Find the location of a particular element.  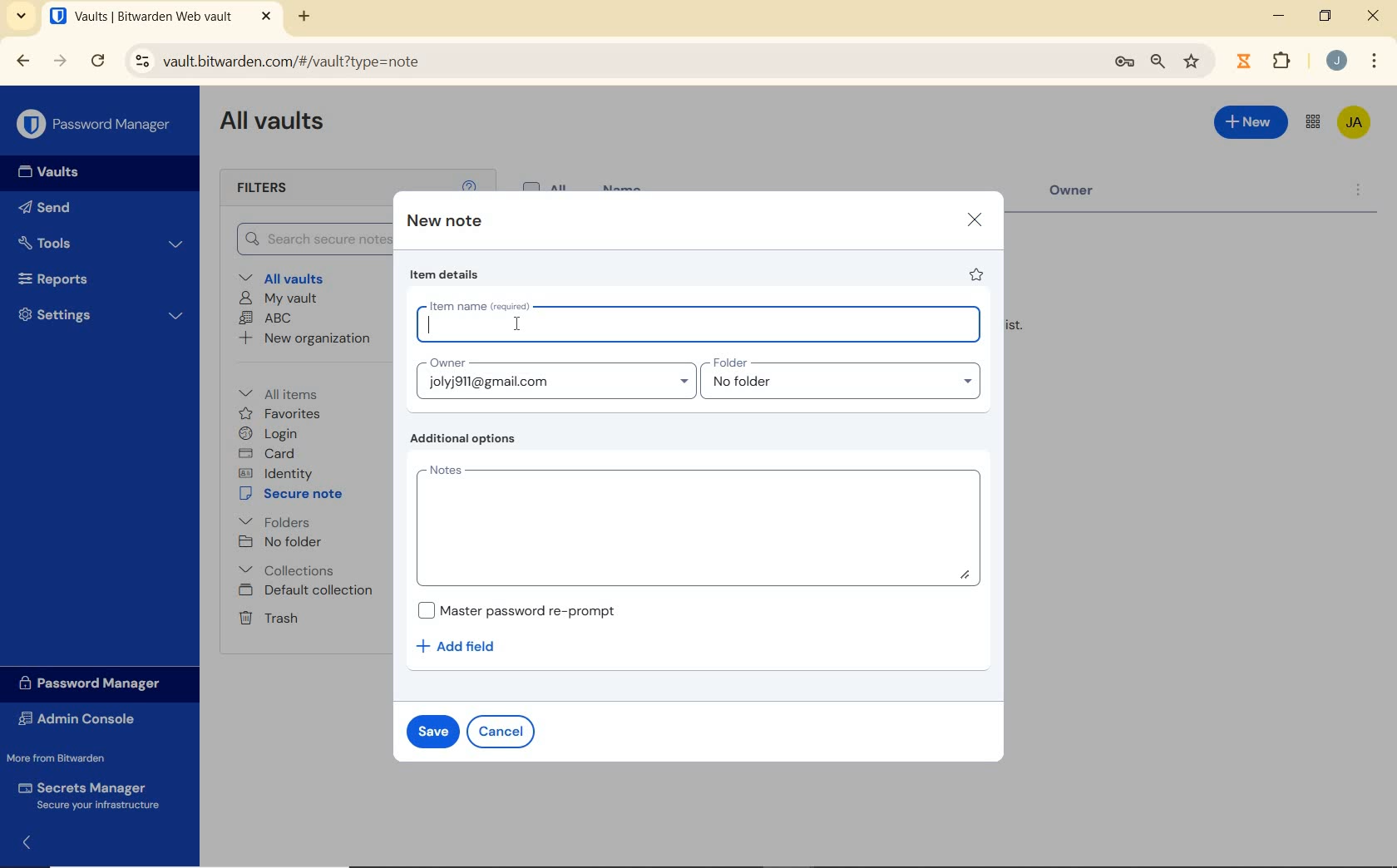

new tab is located at coordinates (306, 18).